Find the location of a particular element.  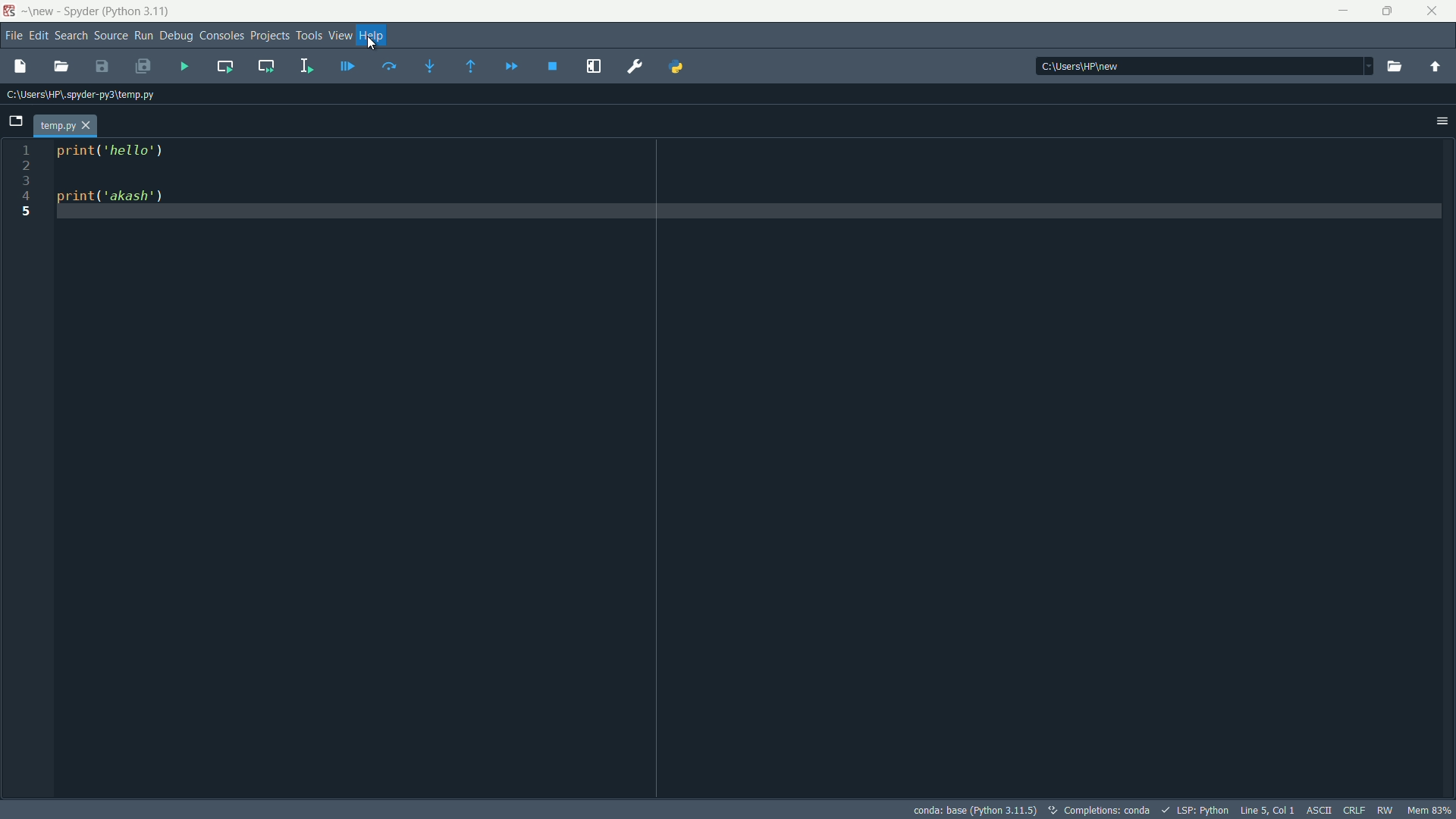

options is located at coordinates (1442, 121).